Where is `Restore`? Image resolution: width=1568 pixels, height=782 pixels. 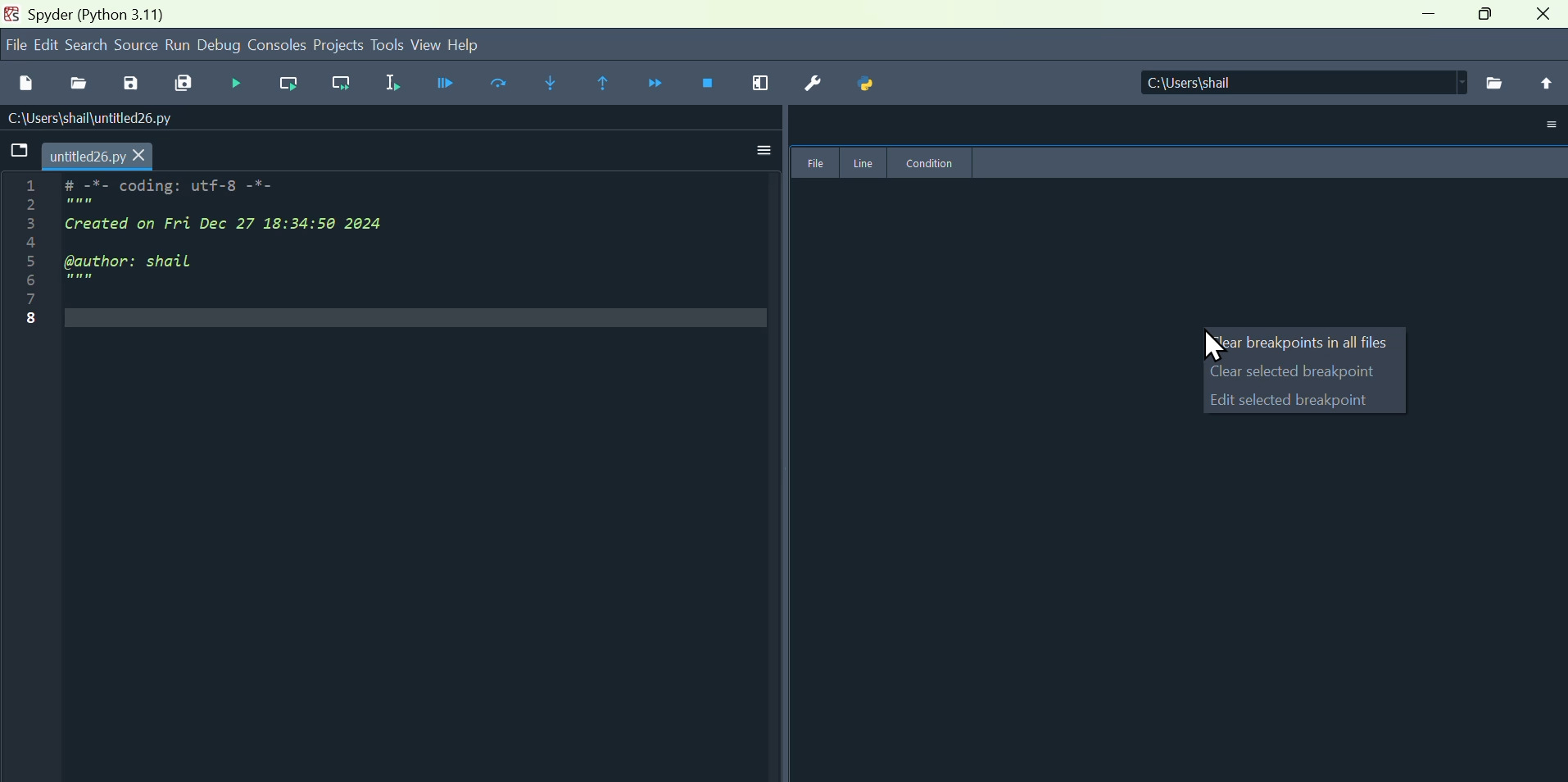 Restore is located at coordinates (1489, 15).